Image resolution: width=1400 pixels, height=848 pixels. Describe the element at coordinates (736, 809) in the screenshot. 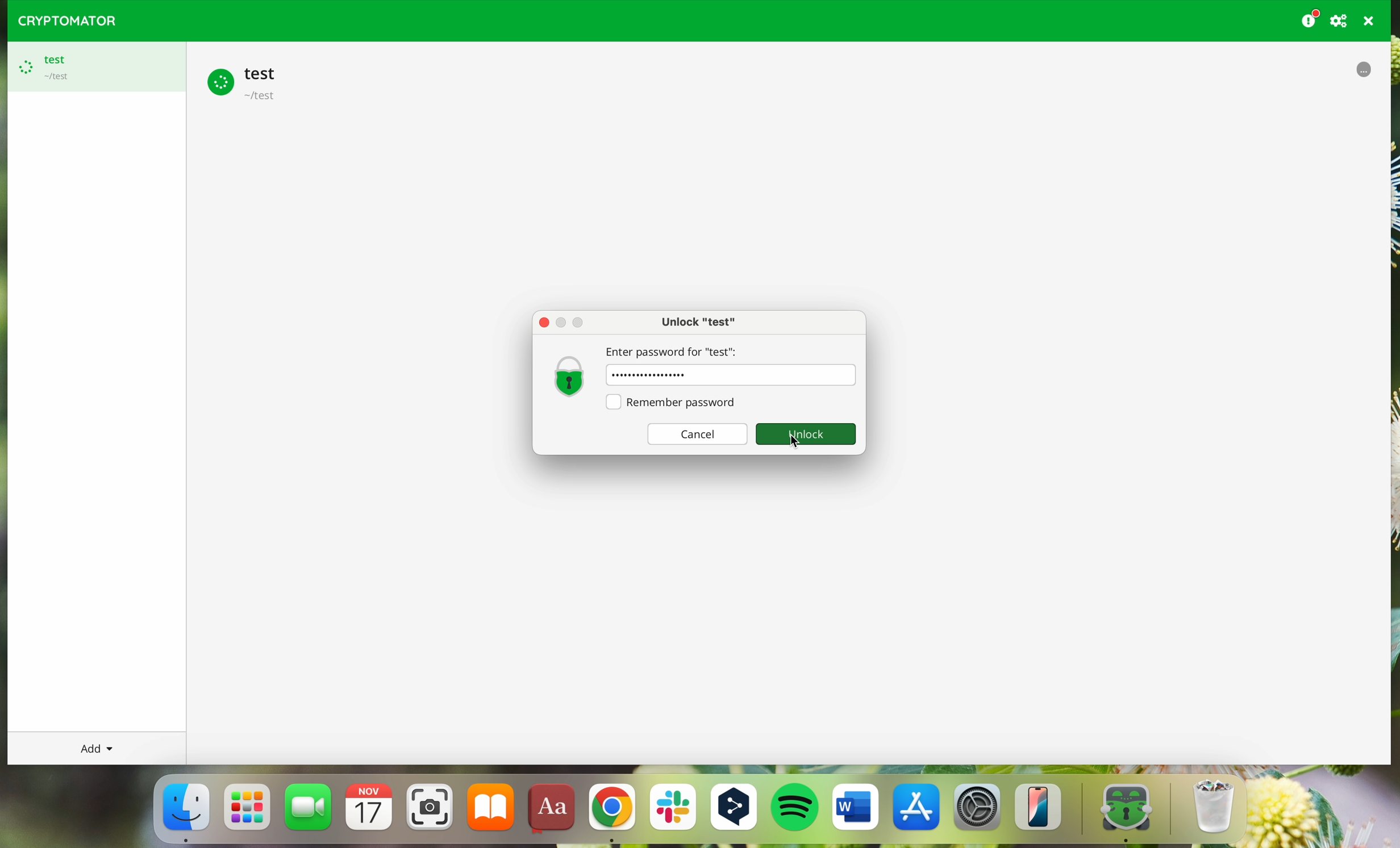

I see `DeepL` at that location.